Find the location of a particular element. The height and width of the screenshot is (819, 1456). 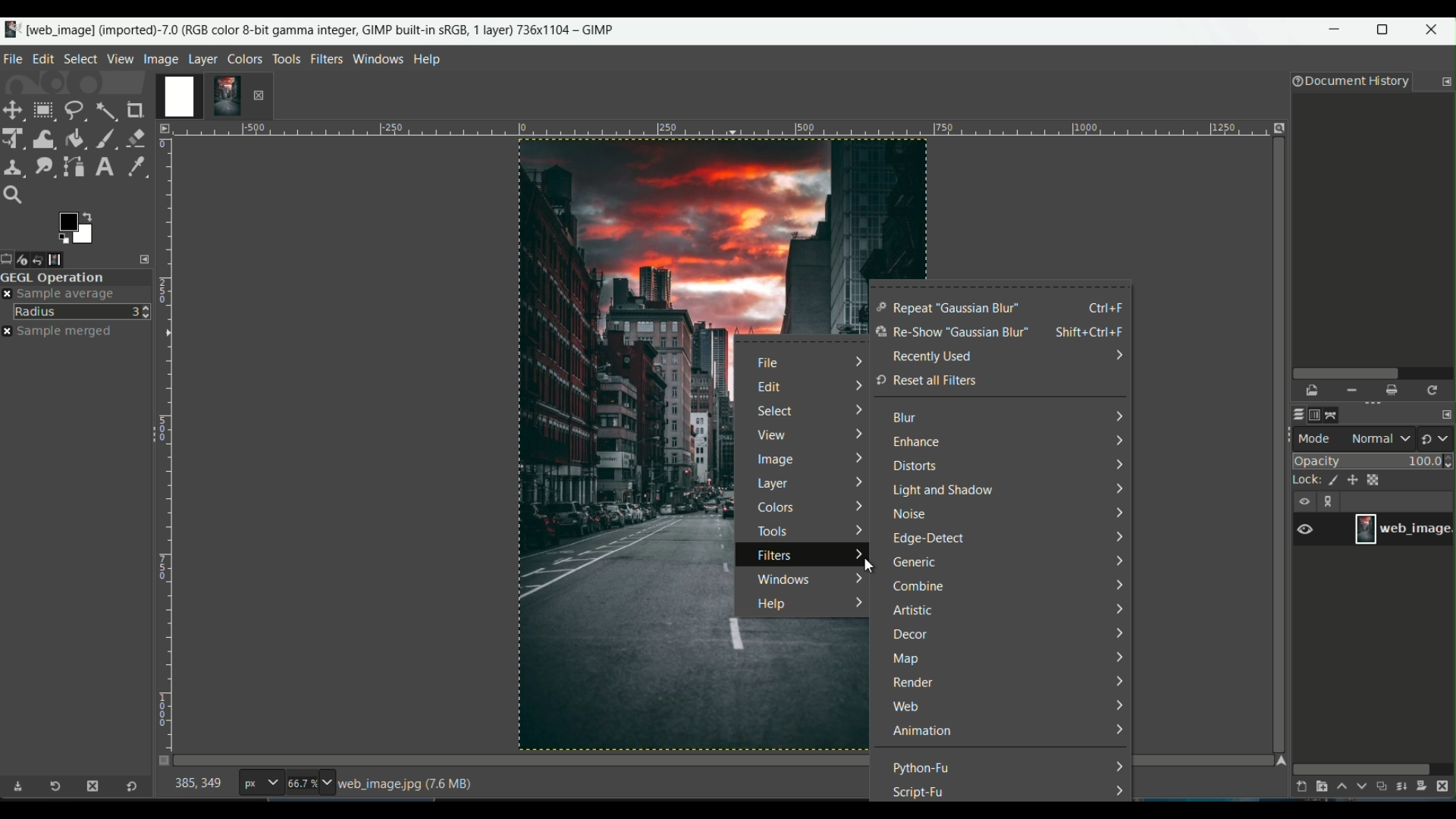

keyboard shortcut is located at coordinates (1107, 307).